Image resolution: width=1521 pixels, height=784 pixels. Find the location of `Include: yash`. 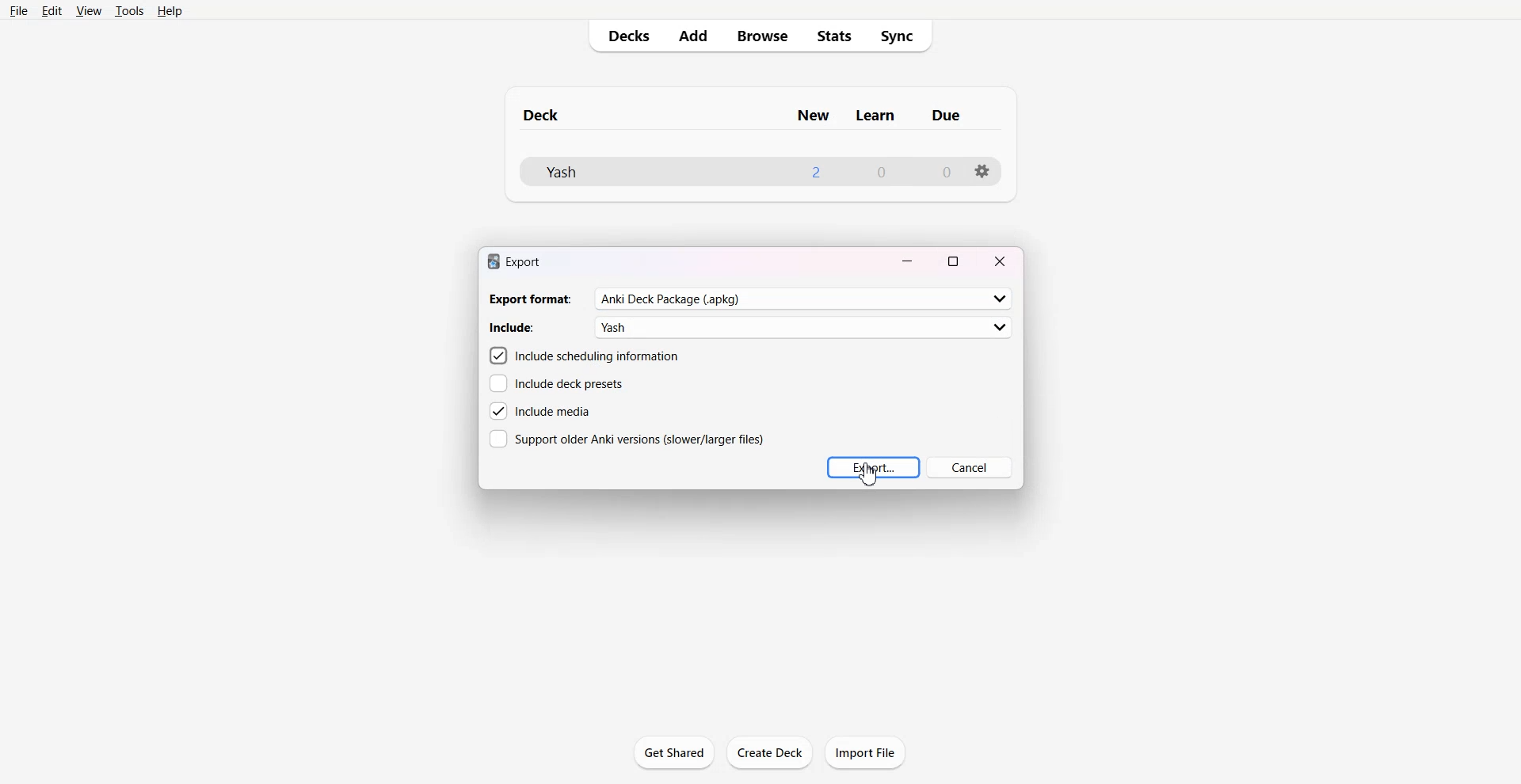

Include: yash is located at coordinates (752, 327).